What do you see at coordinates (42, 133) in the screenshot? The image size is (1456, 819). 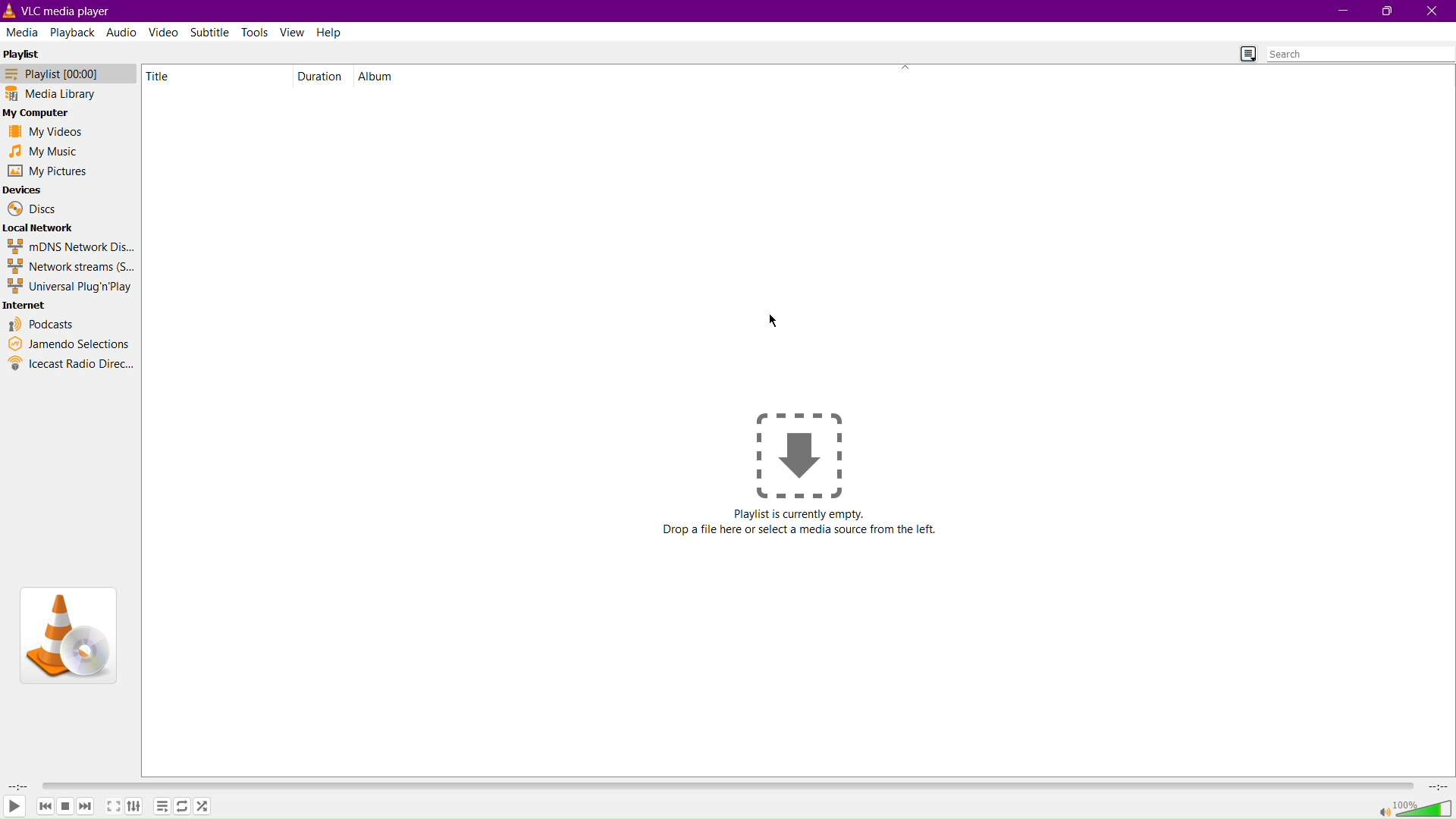 I see `My Videos` at bounding box center [42, 133].